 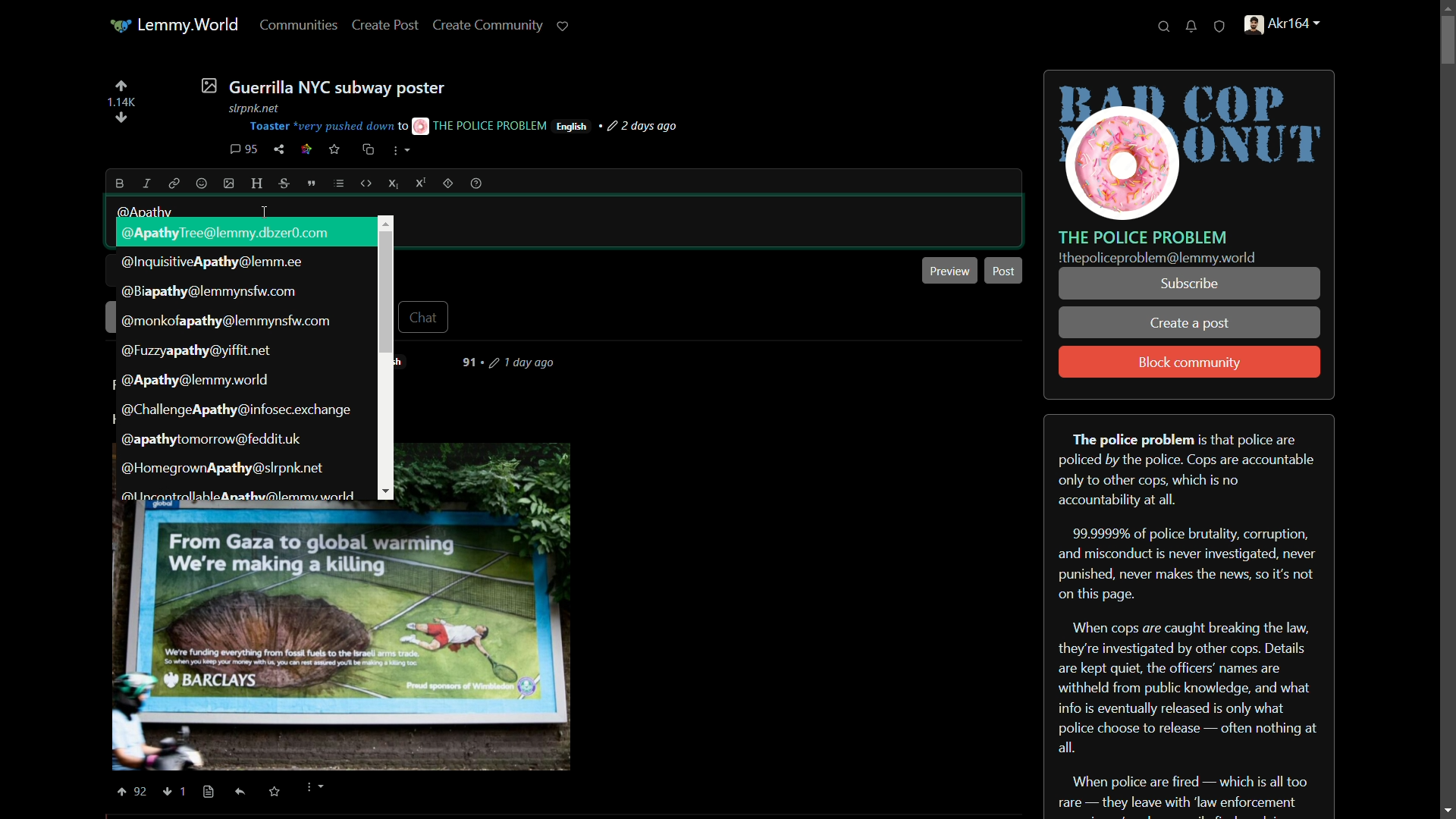 What do you see at coordinates (300, 24) in the screenshot?
I see `communities ` at bounding box center [300, 24].